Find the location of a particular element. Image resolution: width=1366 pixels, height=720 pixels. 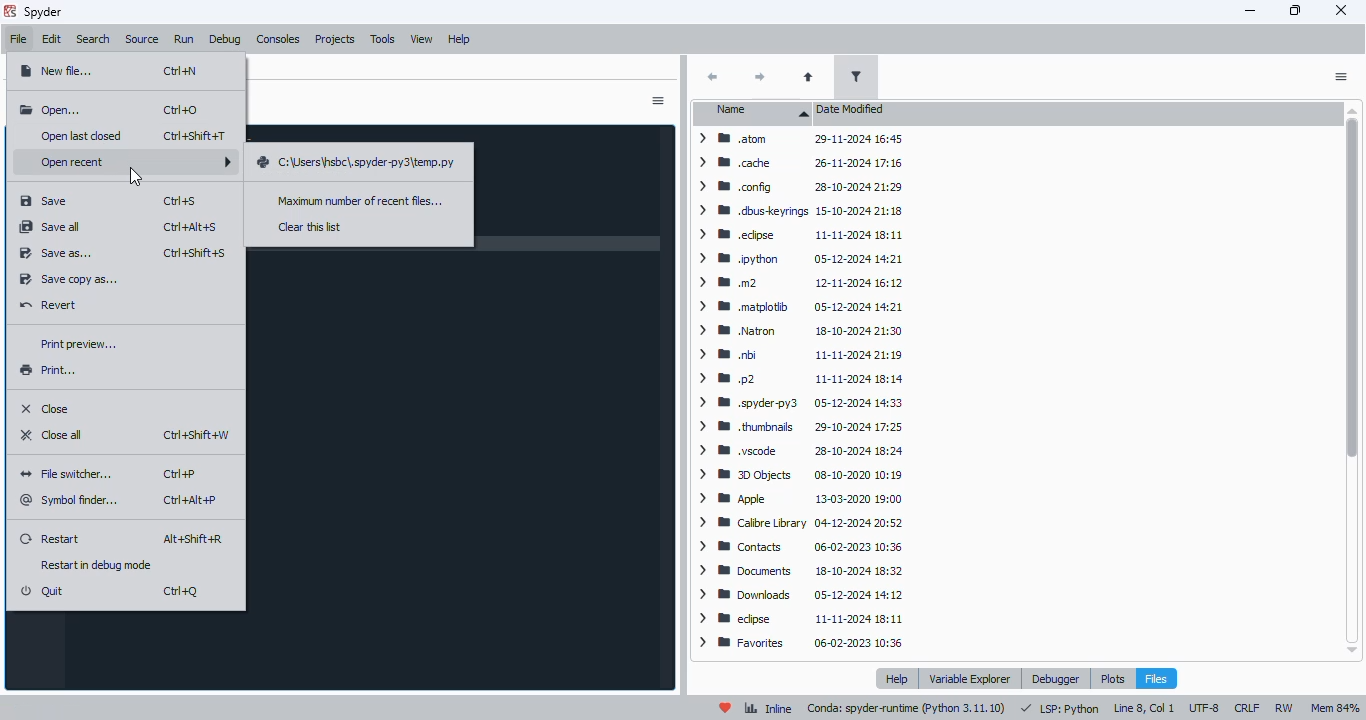

> WM .dbuskeyrings 15-10-2024 21:18 is located at coordinates (797, 209).